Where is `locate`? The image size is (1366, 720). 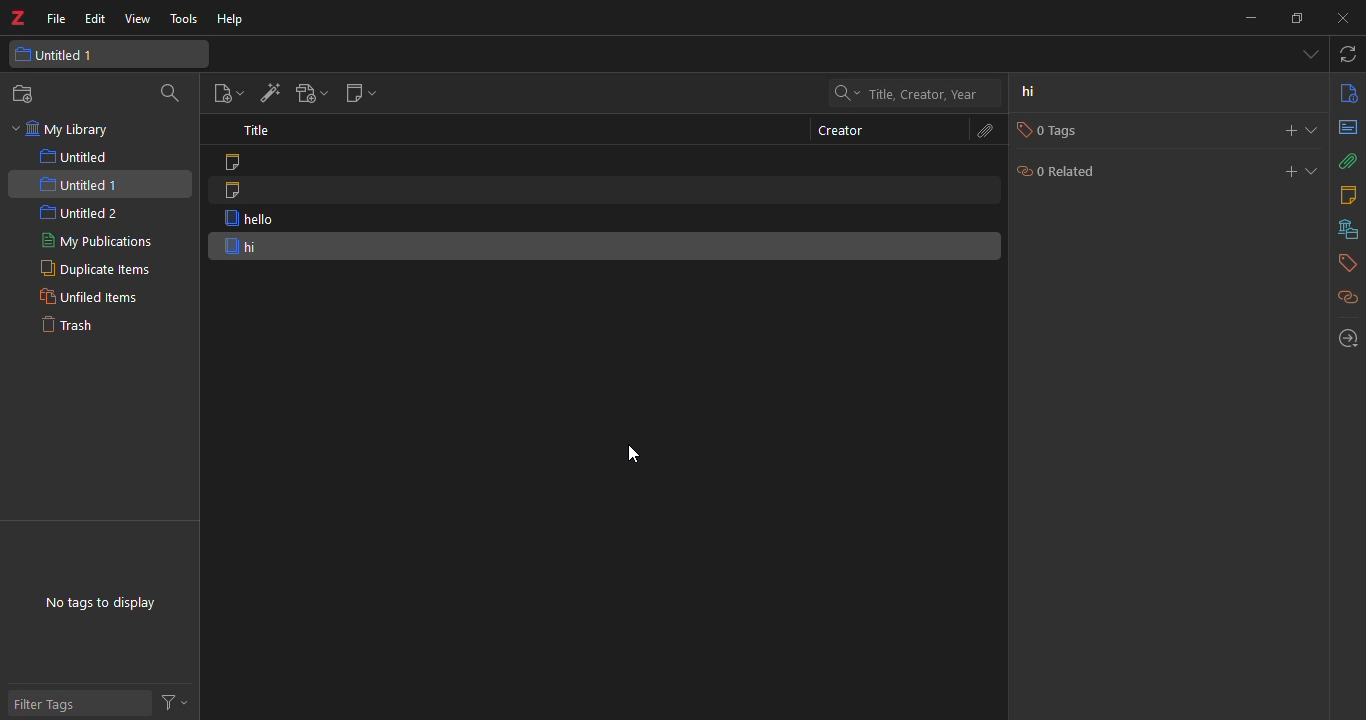
locate is located at coordinates (1346, 337).